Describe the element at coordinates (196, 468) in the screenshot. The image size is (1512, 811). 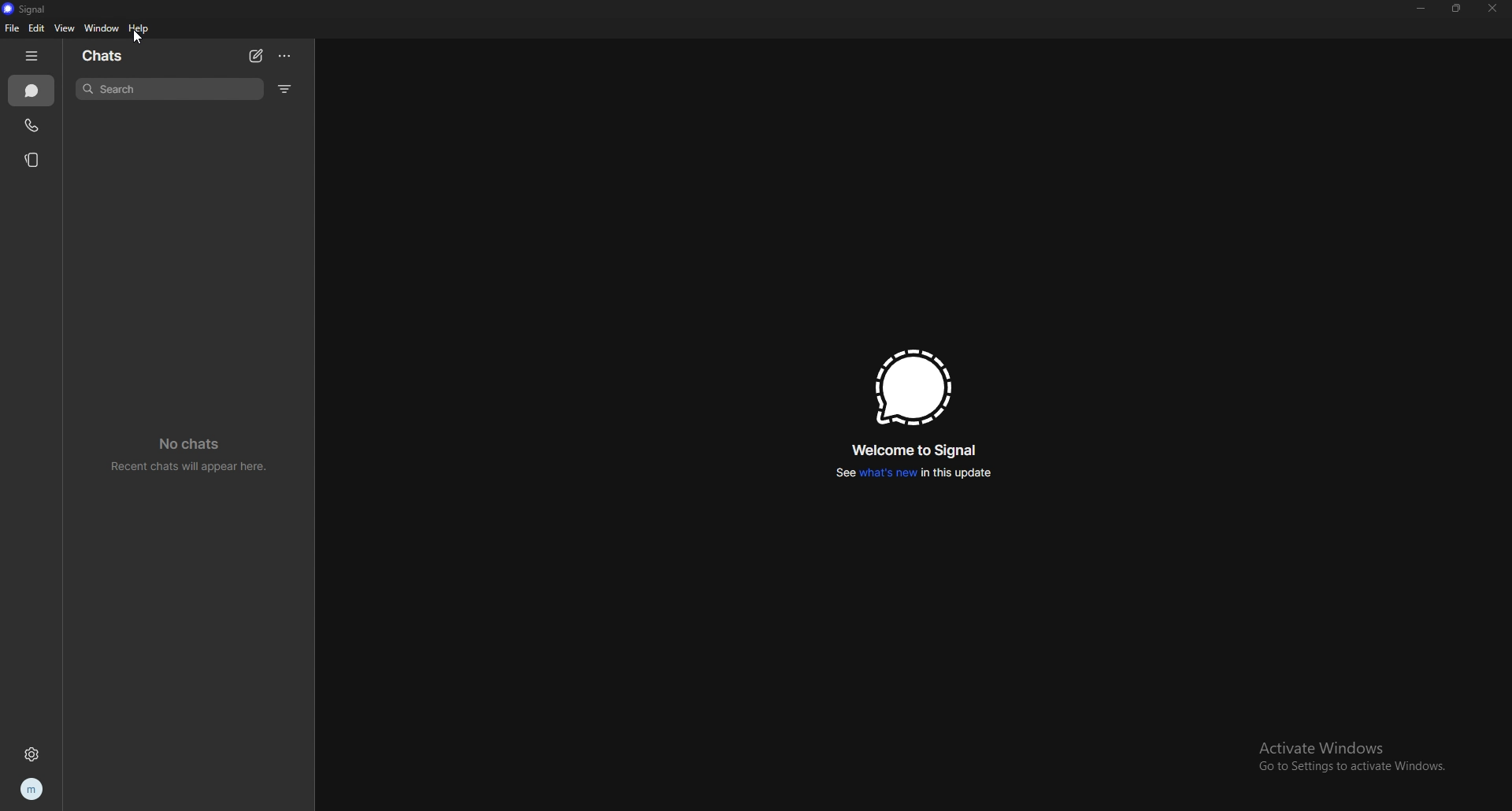
I see `Recent chats will appear here.` at that location.